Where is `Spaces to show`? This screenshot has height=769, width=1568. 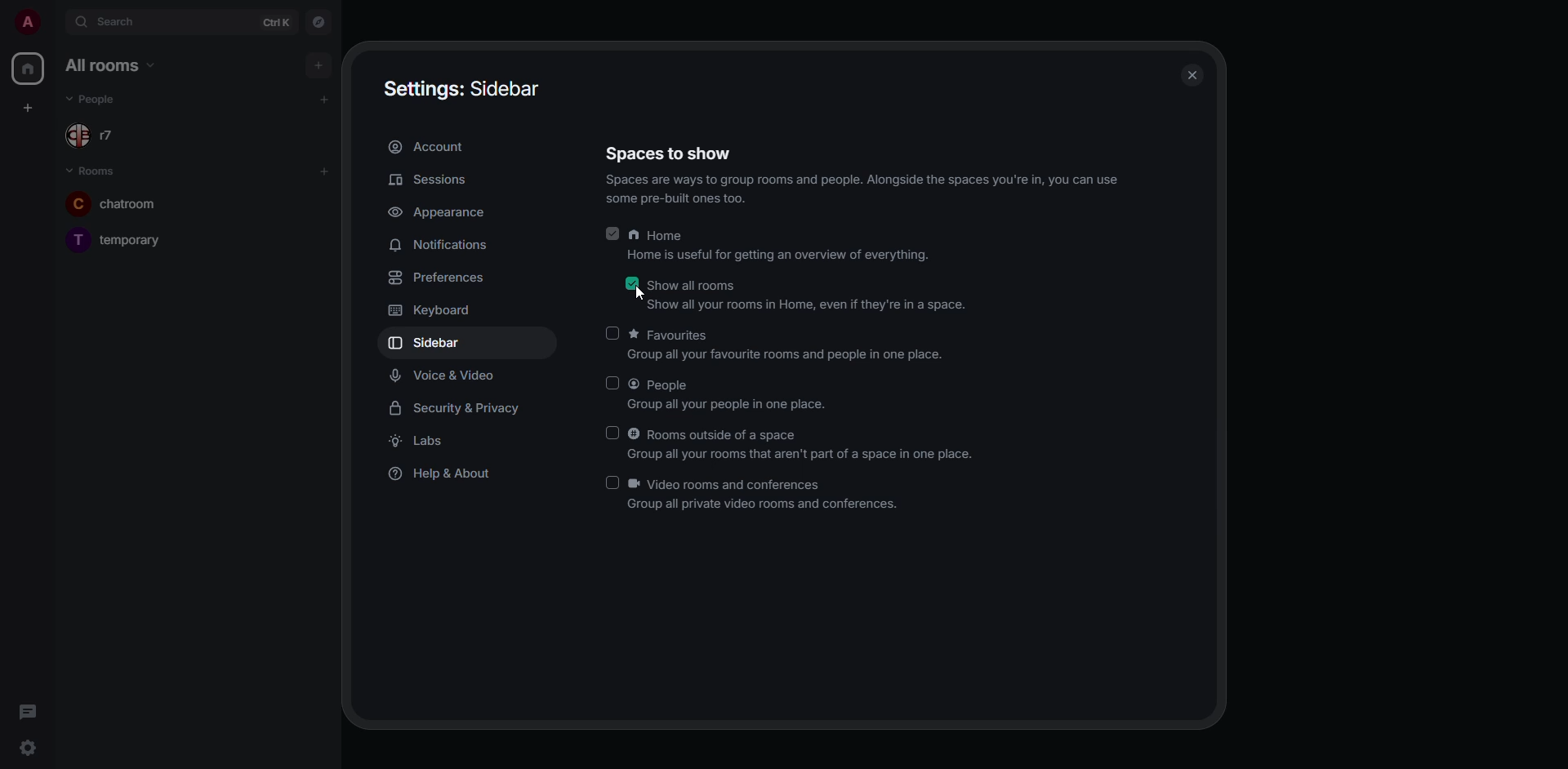
Spaces to show is located at coordinates (671, 150).